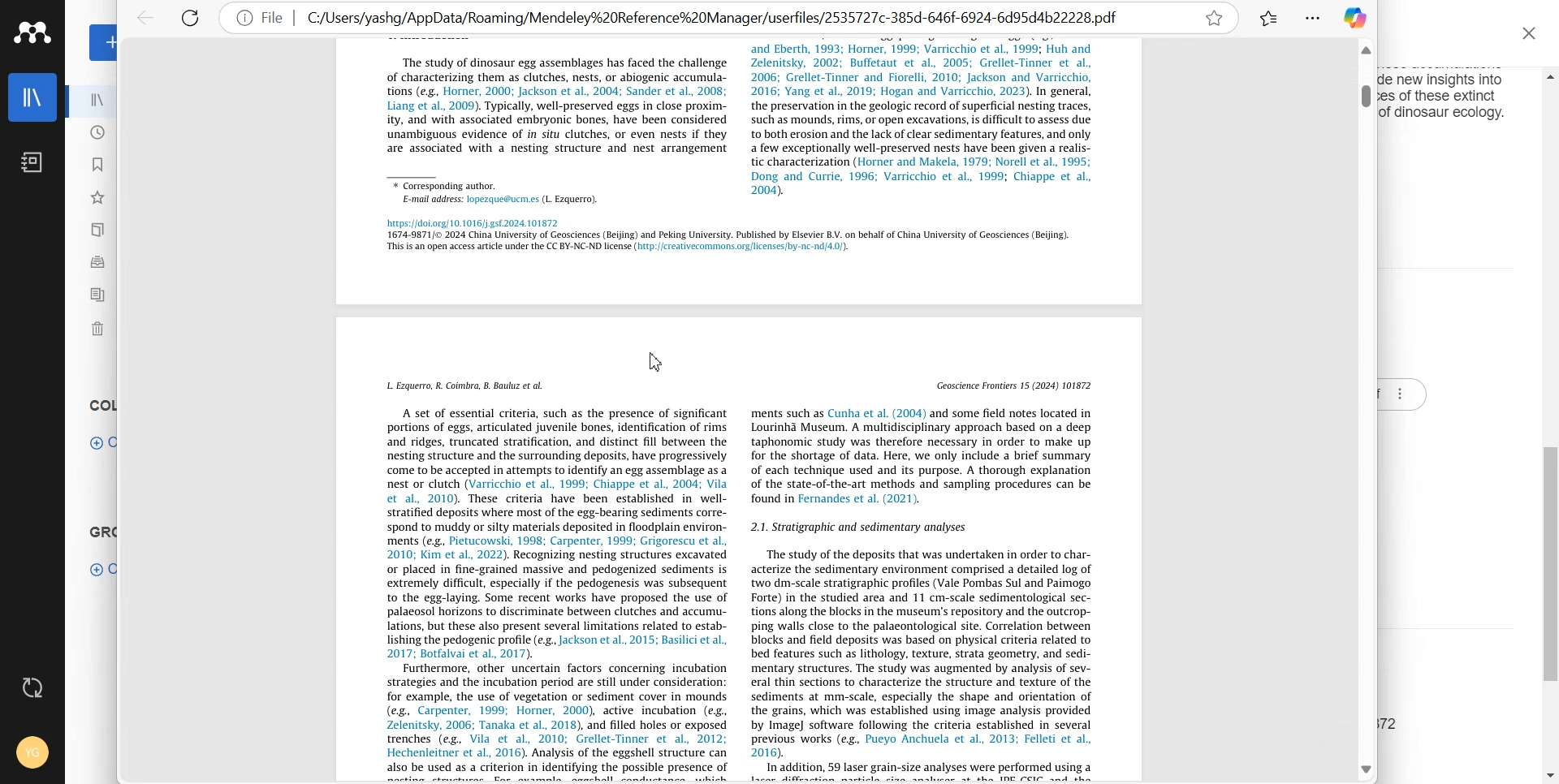 This screenshot has height=784, width=1559. What do you see at coordinates (1367, 51) in the screenshot?
I see `Scroll up` at bounding box center [1367, 51].